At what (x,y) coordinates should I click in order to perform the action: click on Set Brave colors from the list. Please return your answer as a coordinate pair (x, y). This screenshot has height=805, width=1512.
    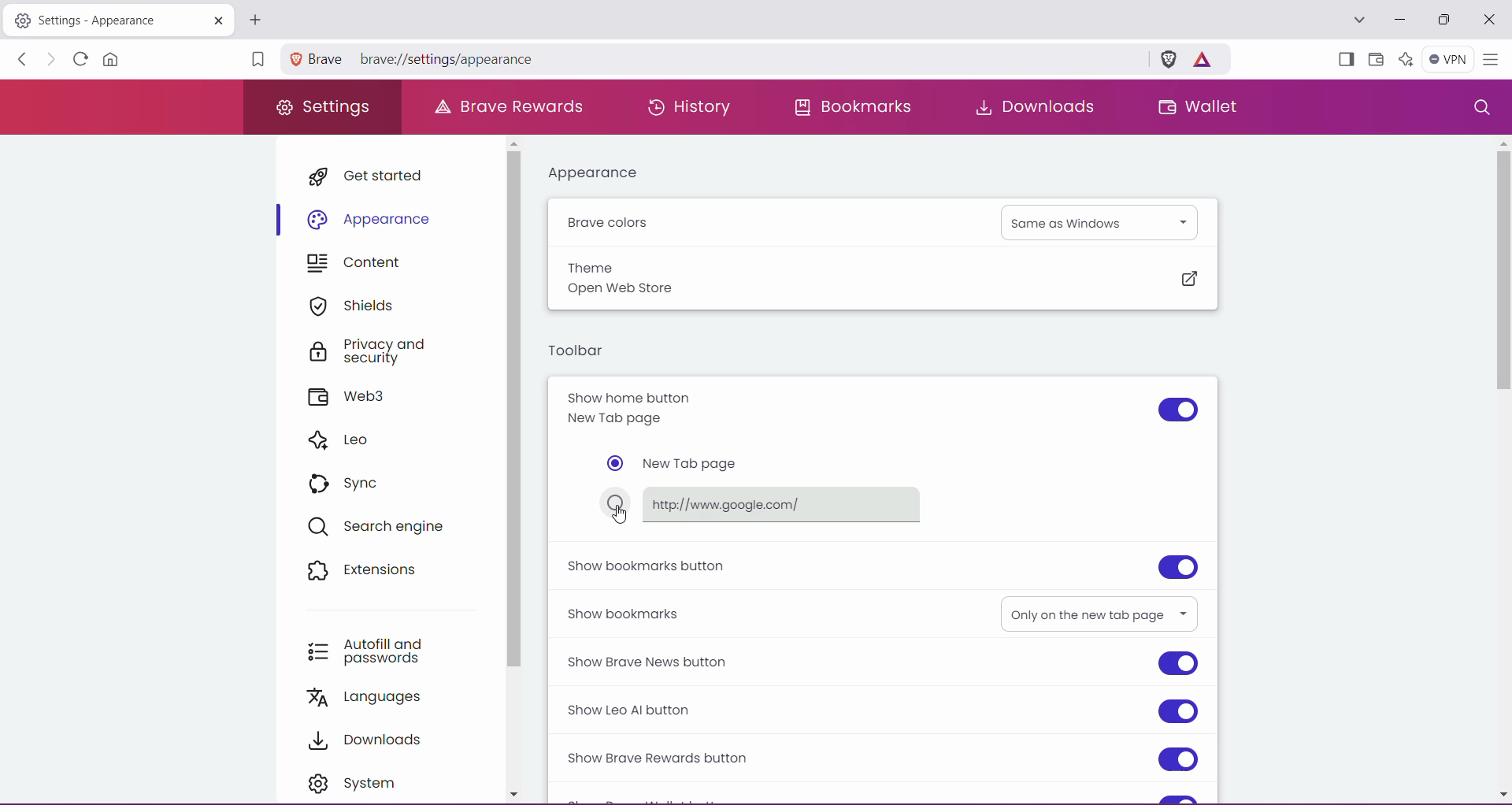
    Looking at the image, I should click on (1102, 221).